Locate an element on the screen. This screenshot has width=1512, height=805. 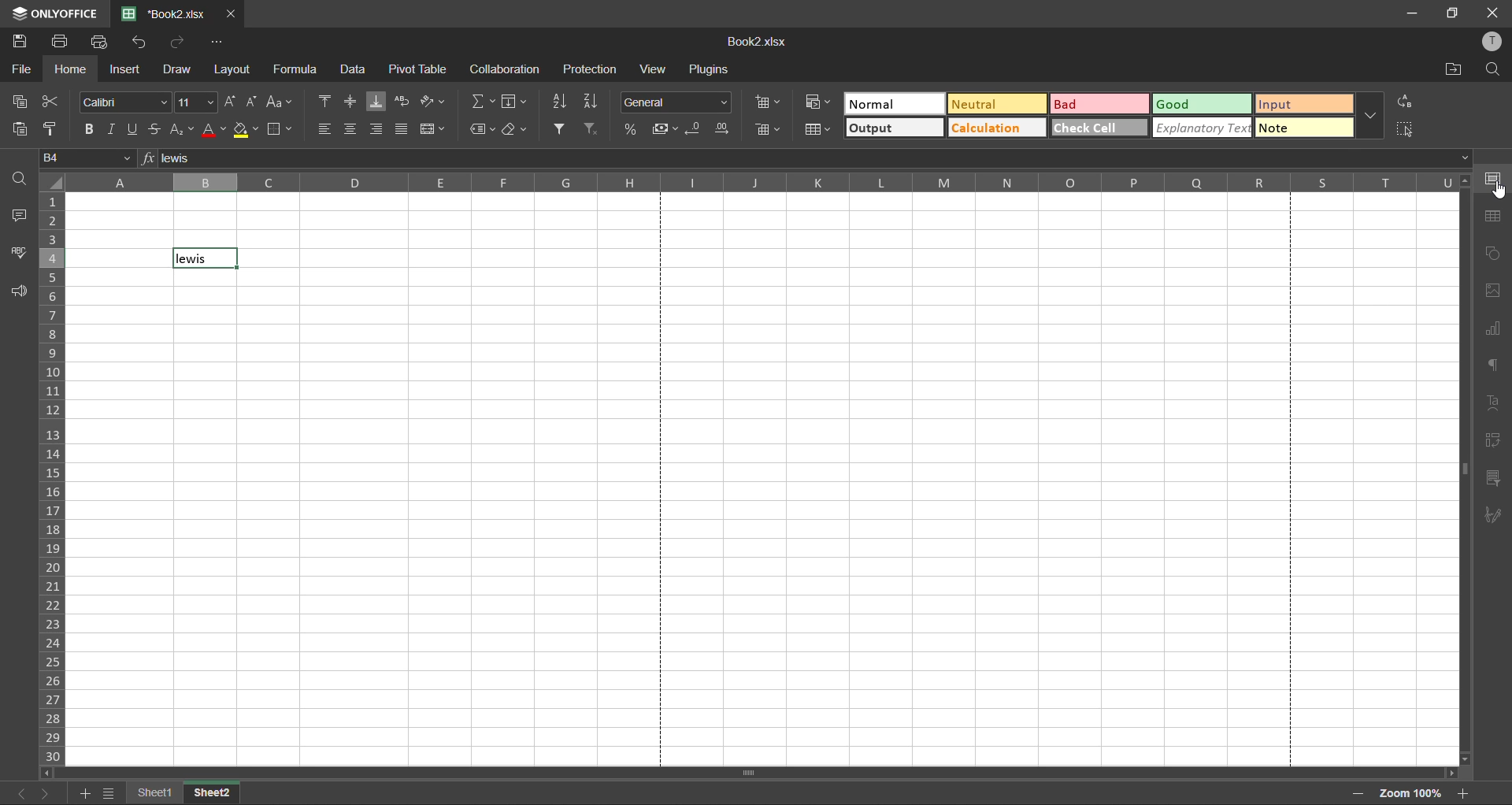
profile is located at coordinates (1488, 41).